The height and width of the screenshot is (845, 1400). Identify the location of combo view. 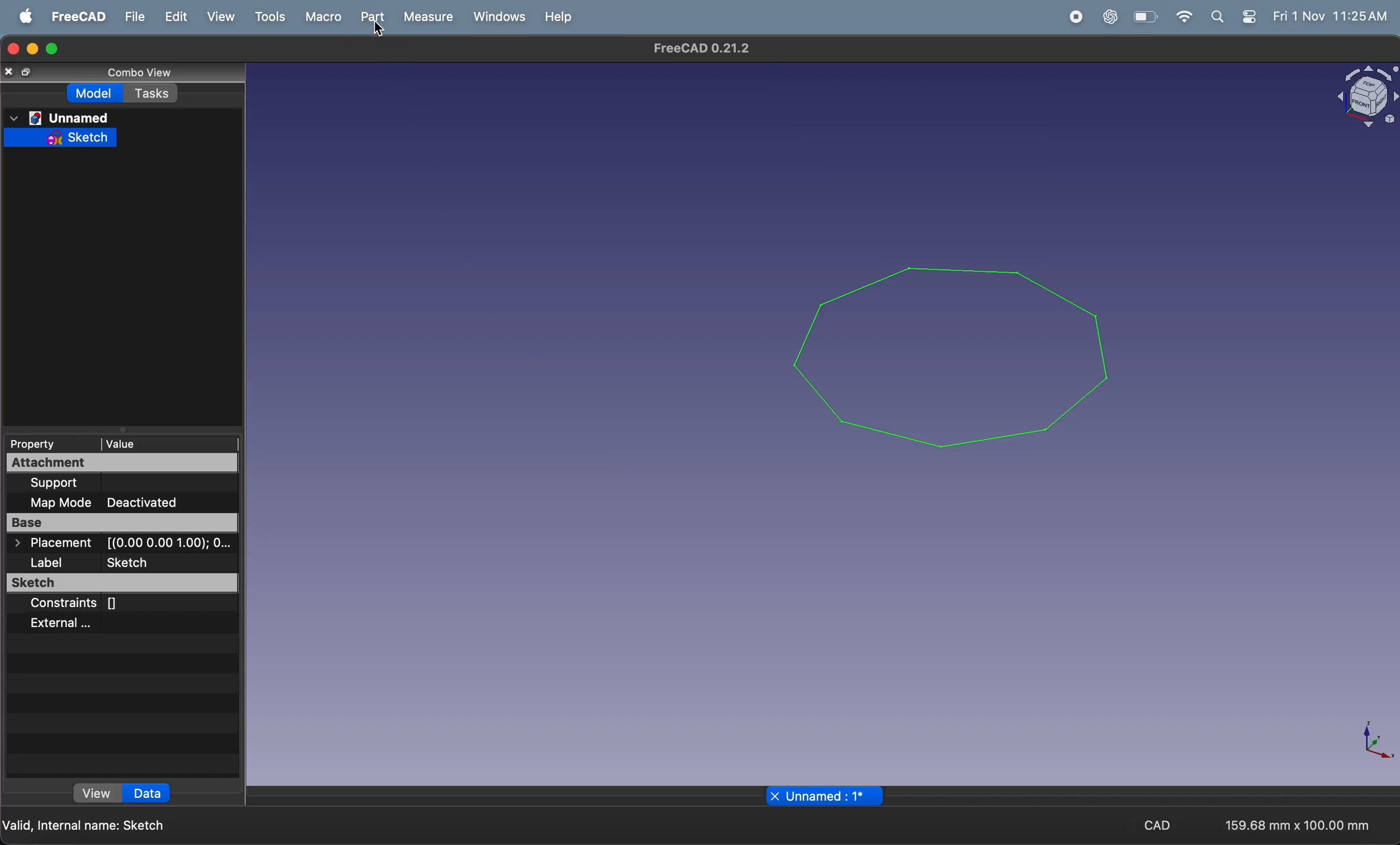
(135, 73).